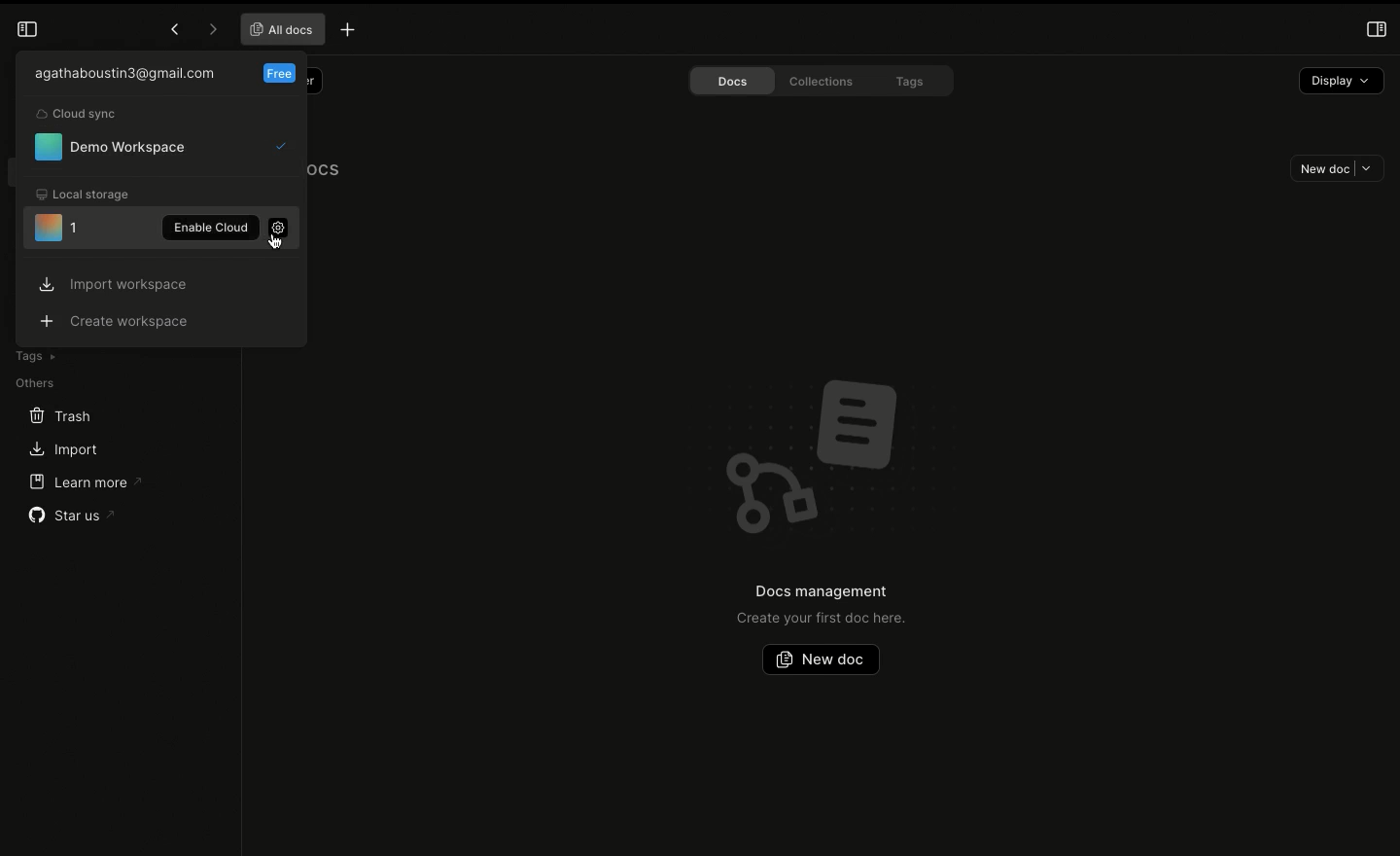 This screenshot has width=1400, height=856. Describe the element at coordinates (209, 228) in the screenshot. I see `Enable cloud` at that location.